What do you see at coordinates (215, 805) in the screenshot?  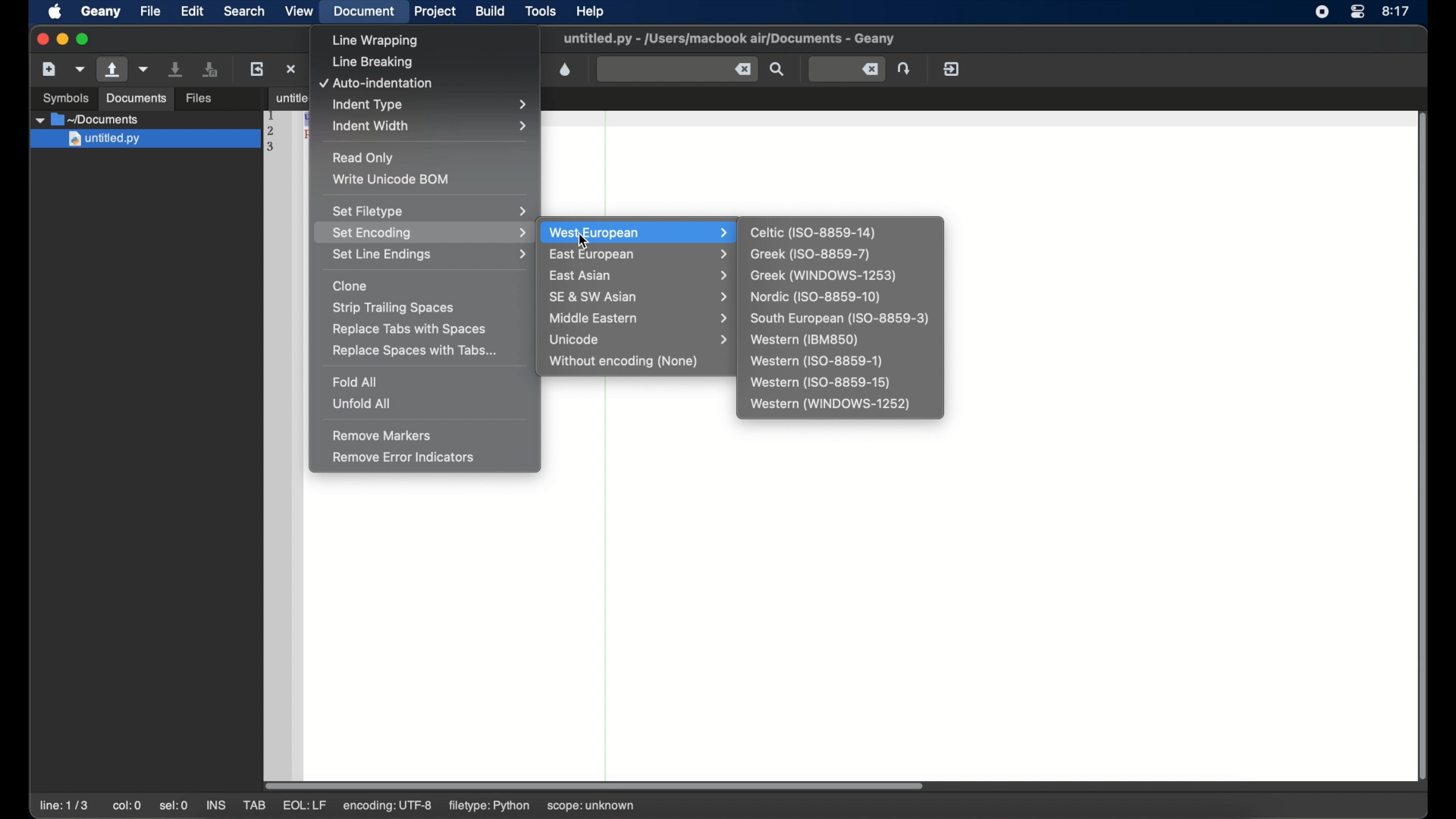 I see `ins` at bounding box center [215, 805].